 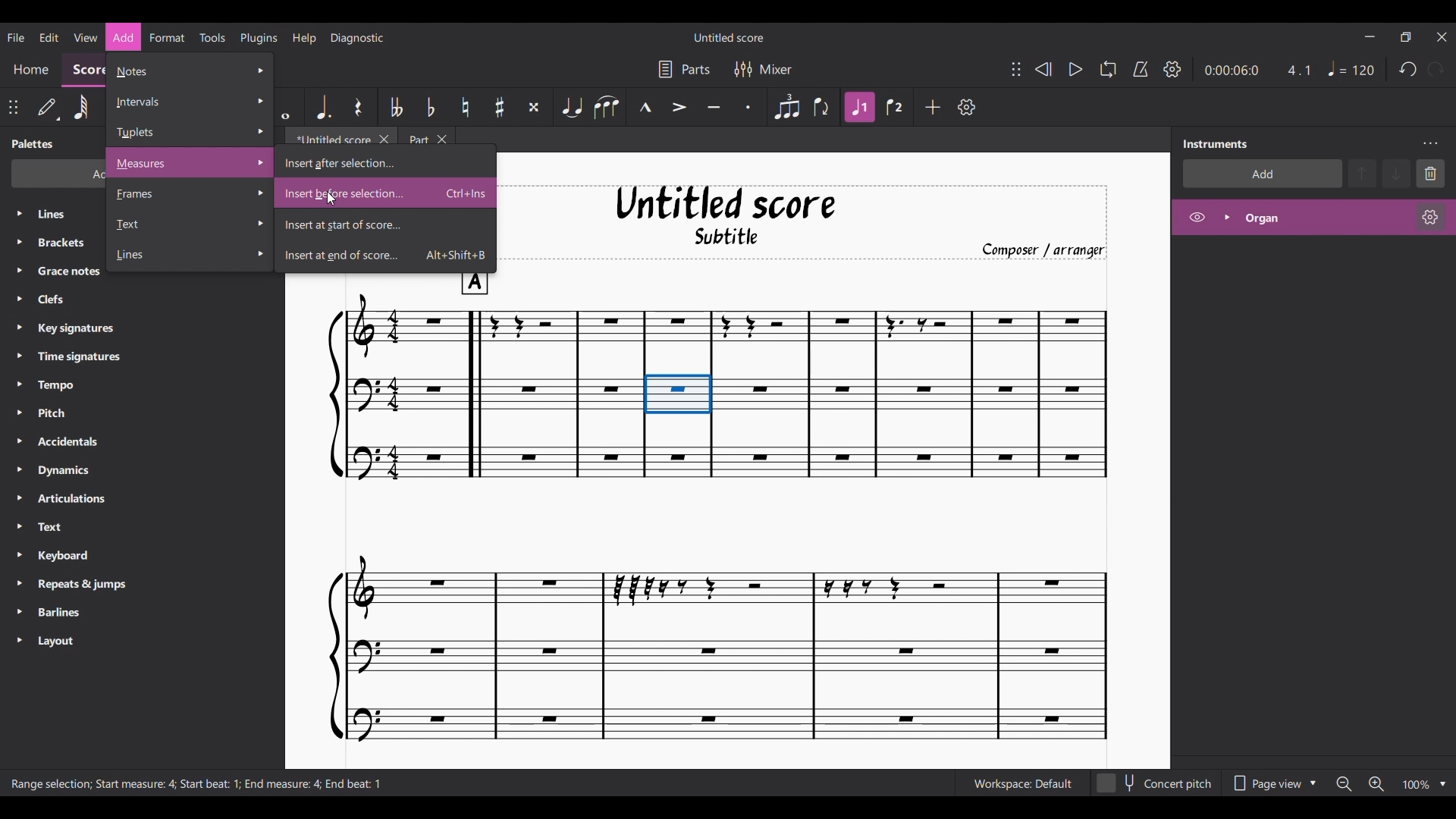 What do you see at coordinates (1257, 70) in the screenshot?
I see `Current duration and ratio of score` at bounding box center [1257, 70].